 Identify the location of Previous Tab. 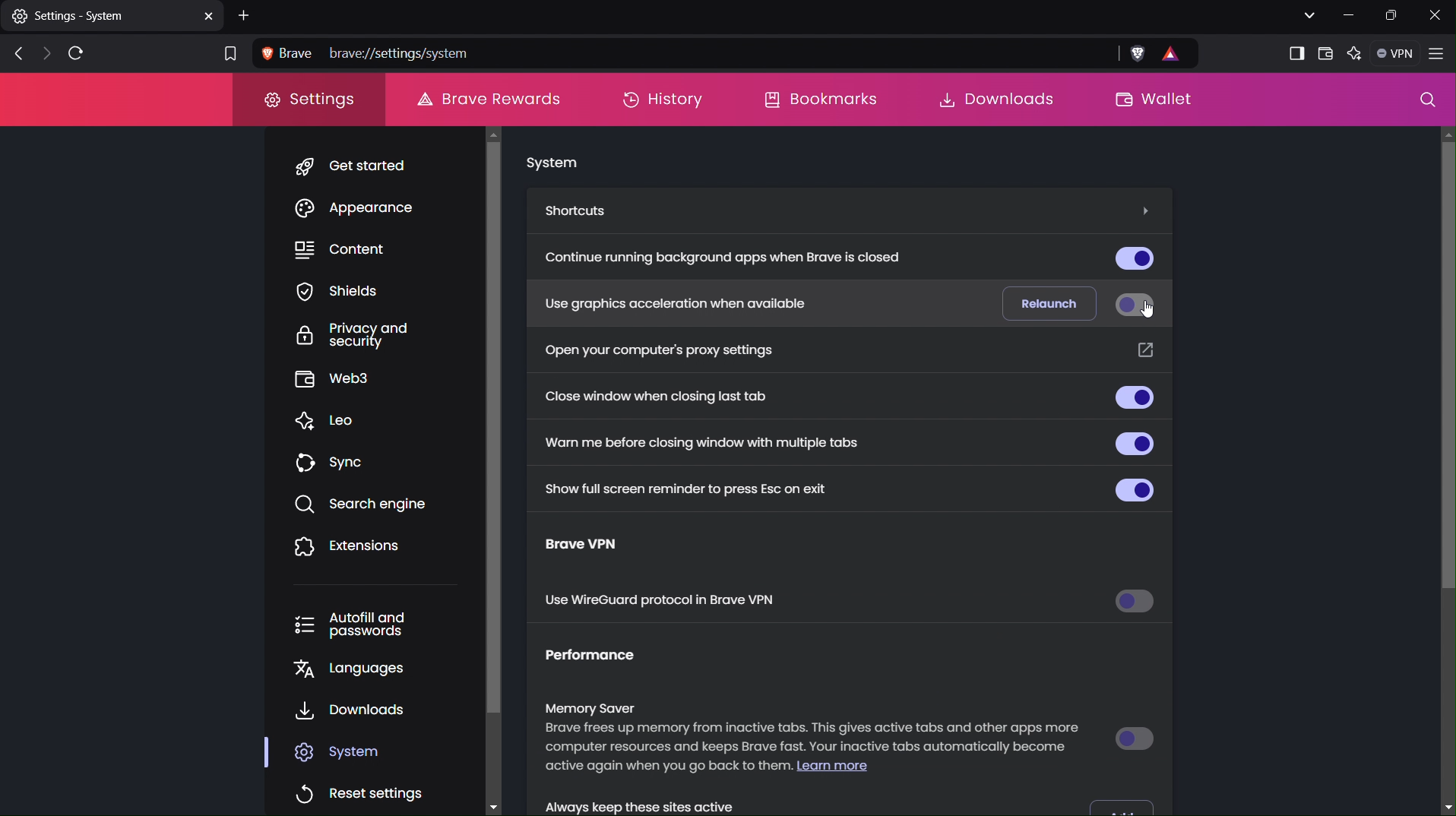
(14, 55).